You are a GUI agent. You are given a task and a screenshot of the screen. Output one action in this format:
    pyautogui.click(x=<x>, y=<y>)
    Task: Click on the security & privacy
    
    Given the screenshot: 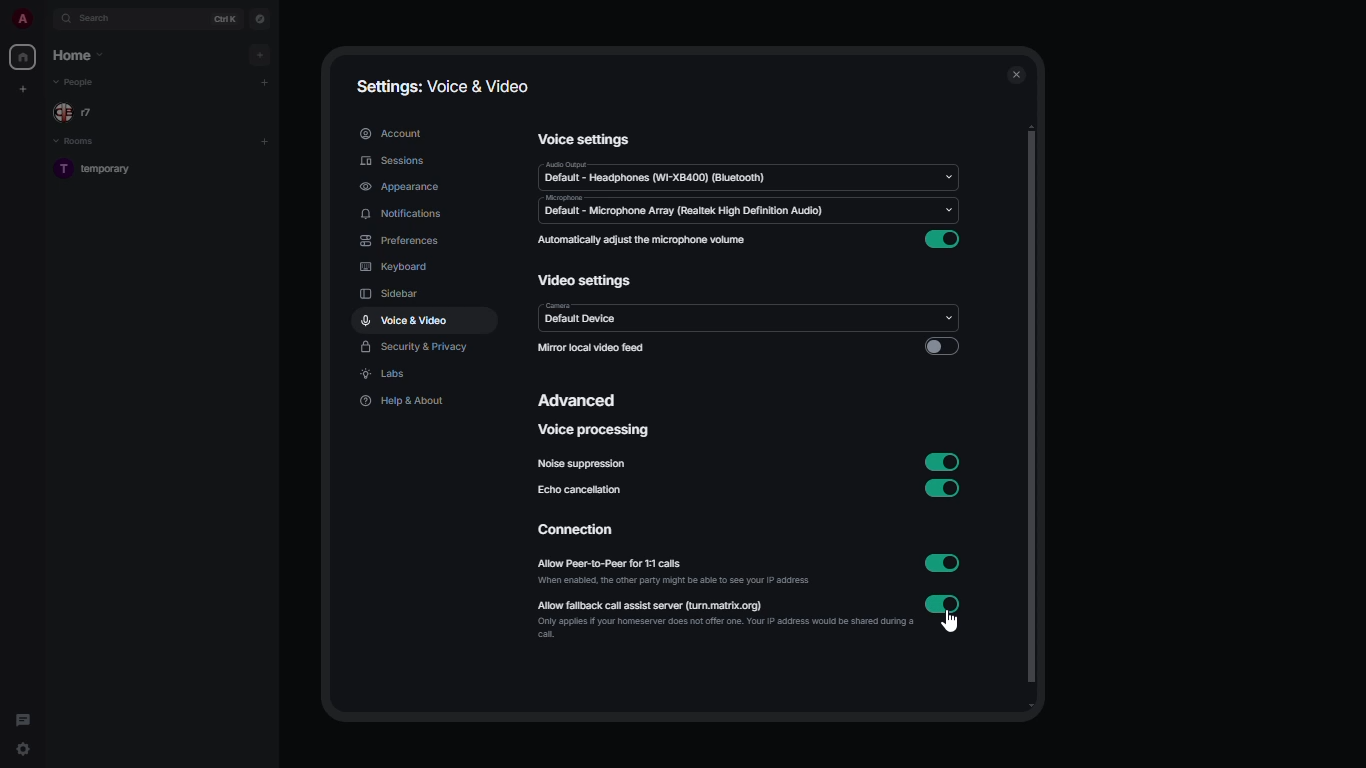 What is the action you would take?
    pyautogui.click(x=416, y=348)
    